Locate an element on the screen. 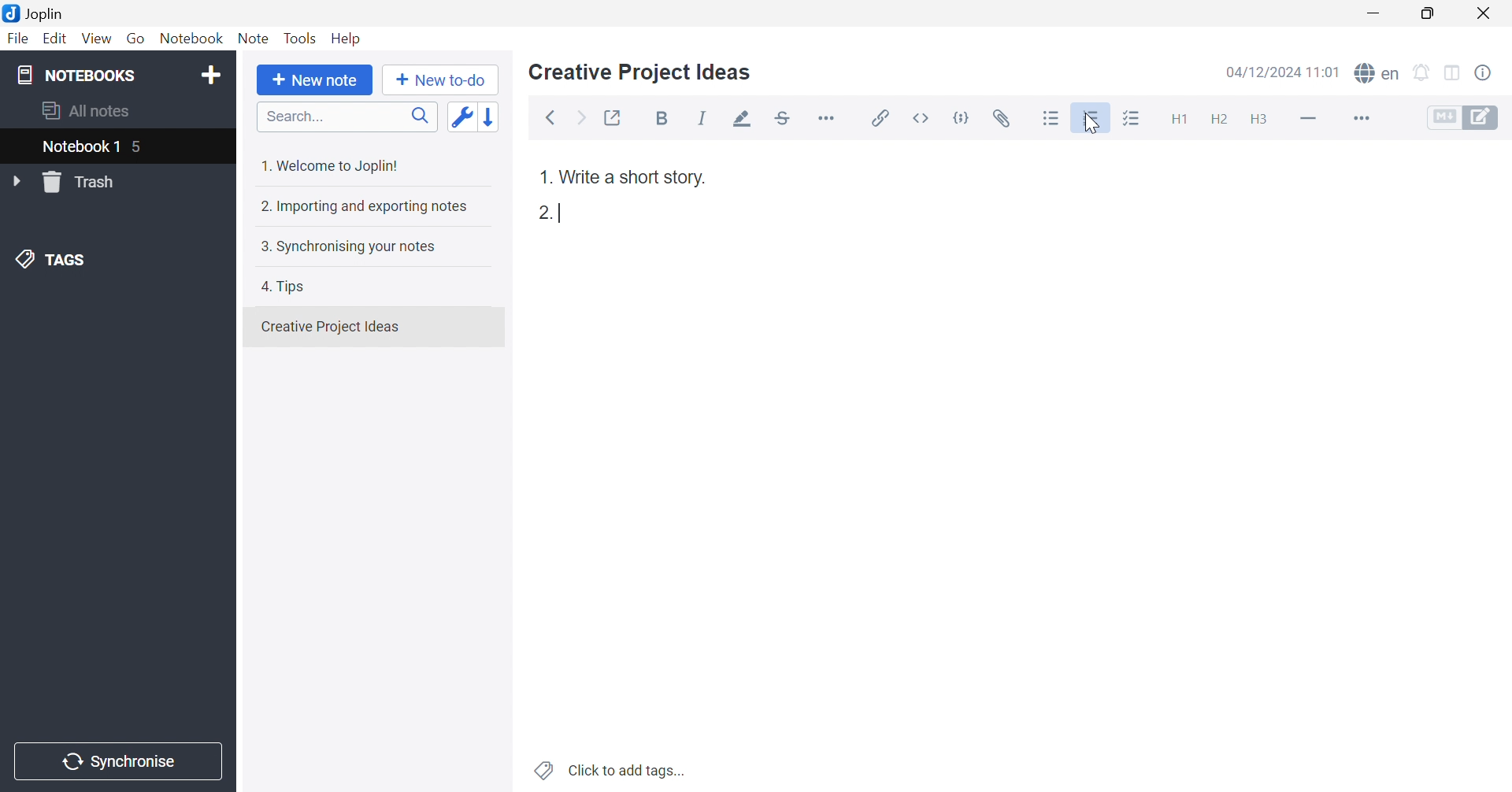 This screenshot has height=792, width=1512. Click to add tags is located at coordinates (607, 770).